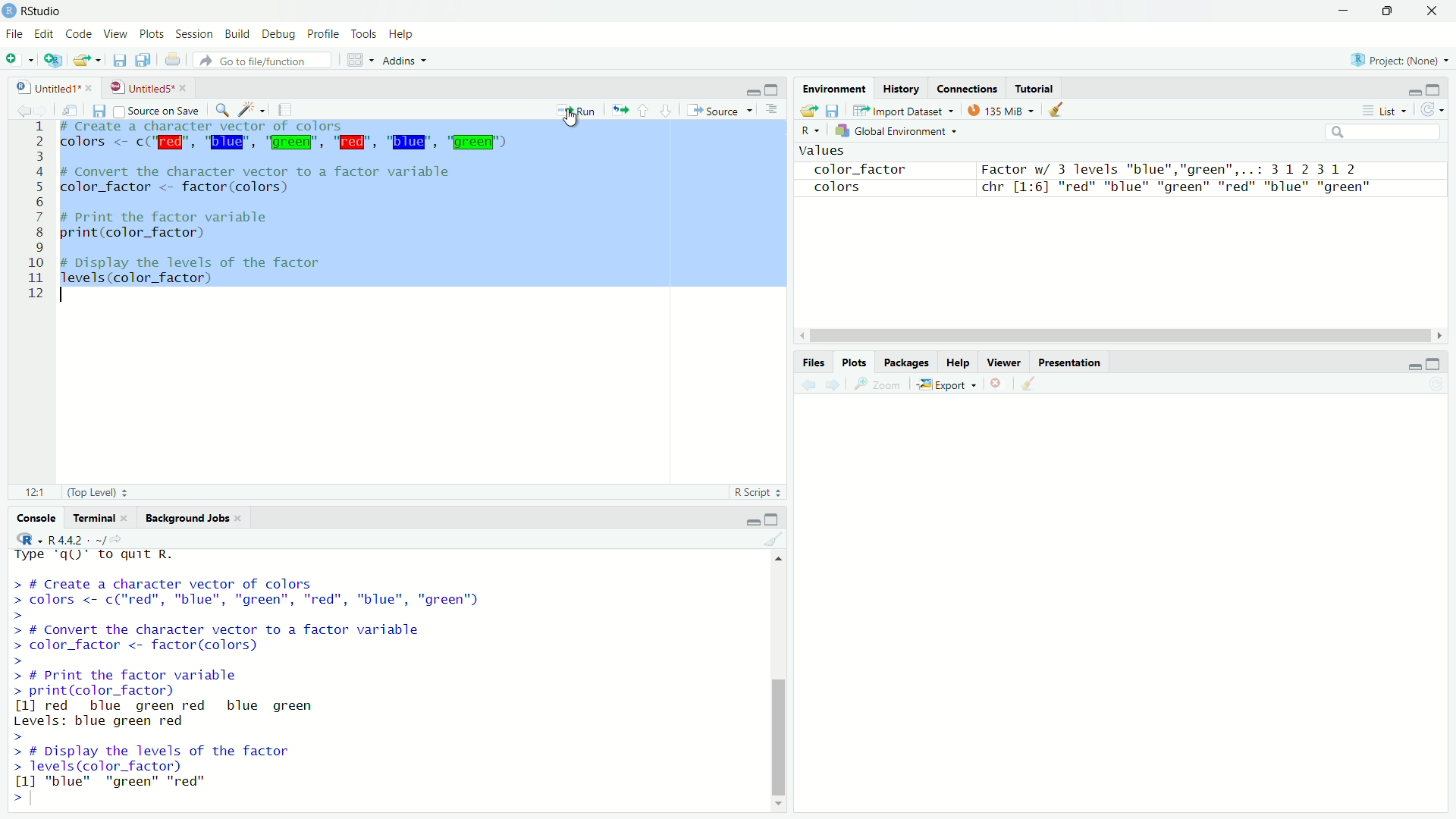 The height and width of the screenshot is (819, 1456). What do you see at coordinates (253, 110) in the screenshot?
I see `code tools` at bounding box center [253, 110].